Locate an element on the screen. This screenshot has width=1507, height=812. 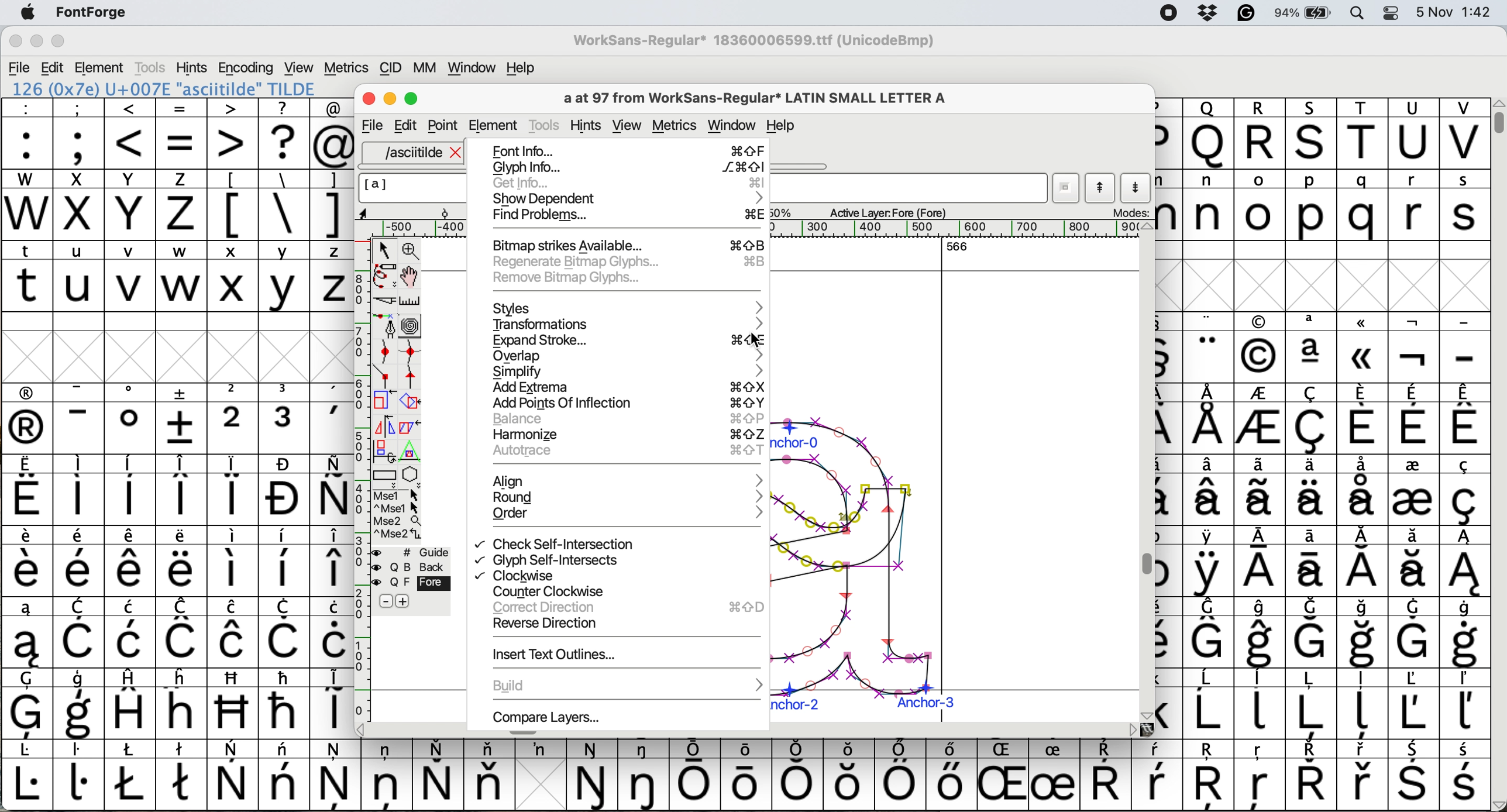
rotat object in 3d and project back to plane is located at coordinates (383, 450).